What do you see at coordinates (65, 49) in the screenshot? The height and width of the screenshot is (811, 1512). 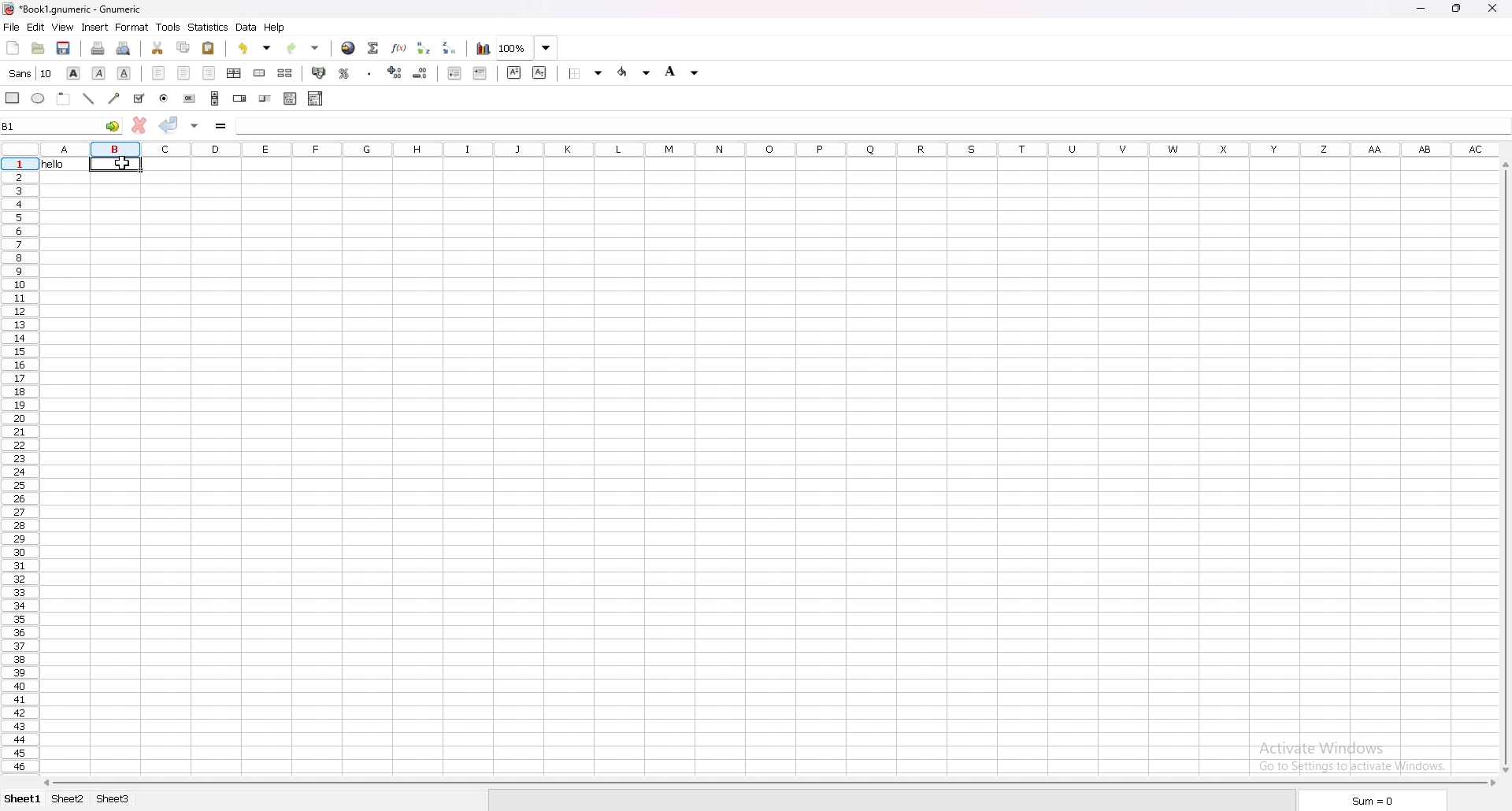 I see `save` at bounding box center [65, 49].